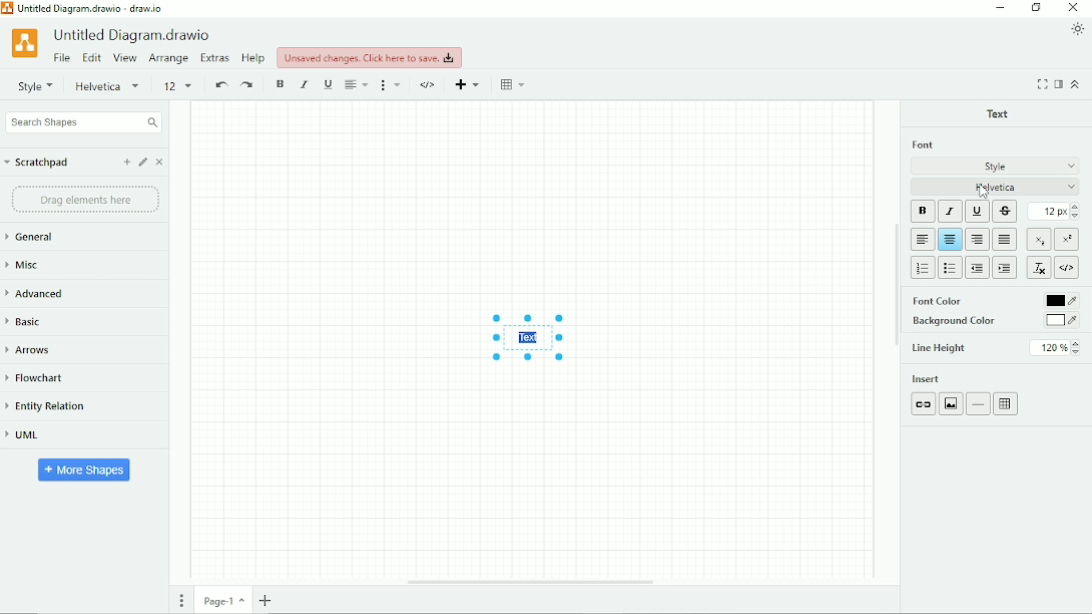  Describe the element at coordinates (85, 200) in the screenshot. I see `Drag elements here` at that location.